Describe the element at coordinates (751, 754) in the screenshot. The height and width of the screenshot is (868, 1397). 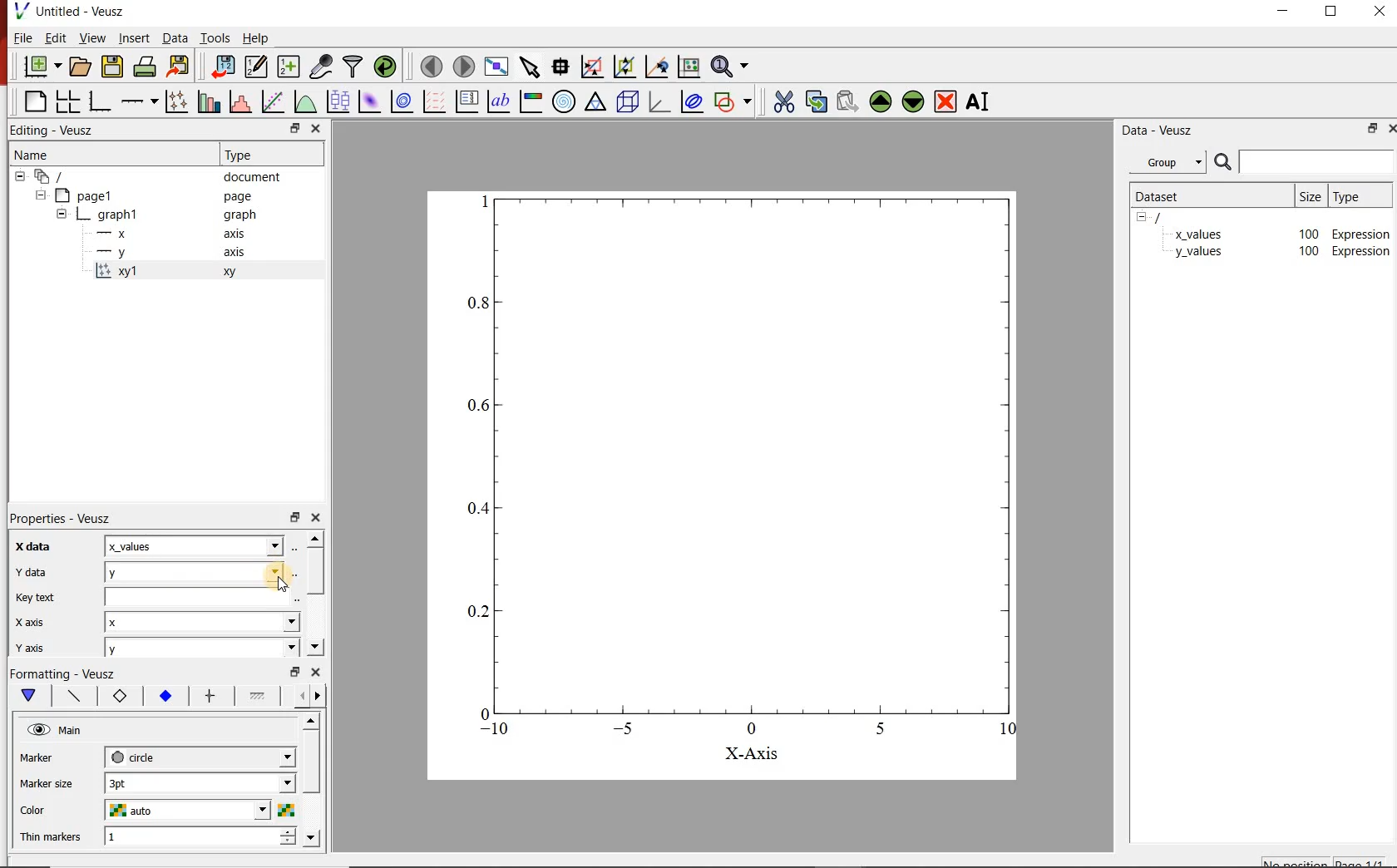
I see `X-Axis` at that location.